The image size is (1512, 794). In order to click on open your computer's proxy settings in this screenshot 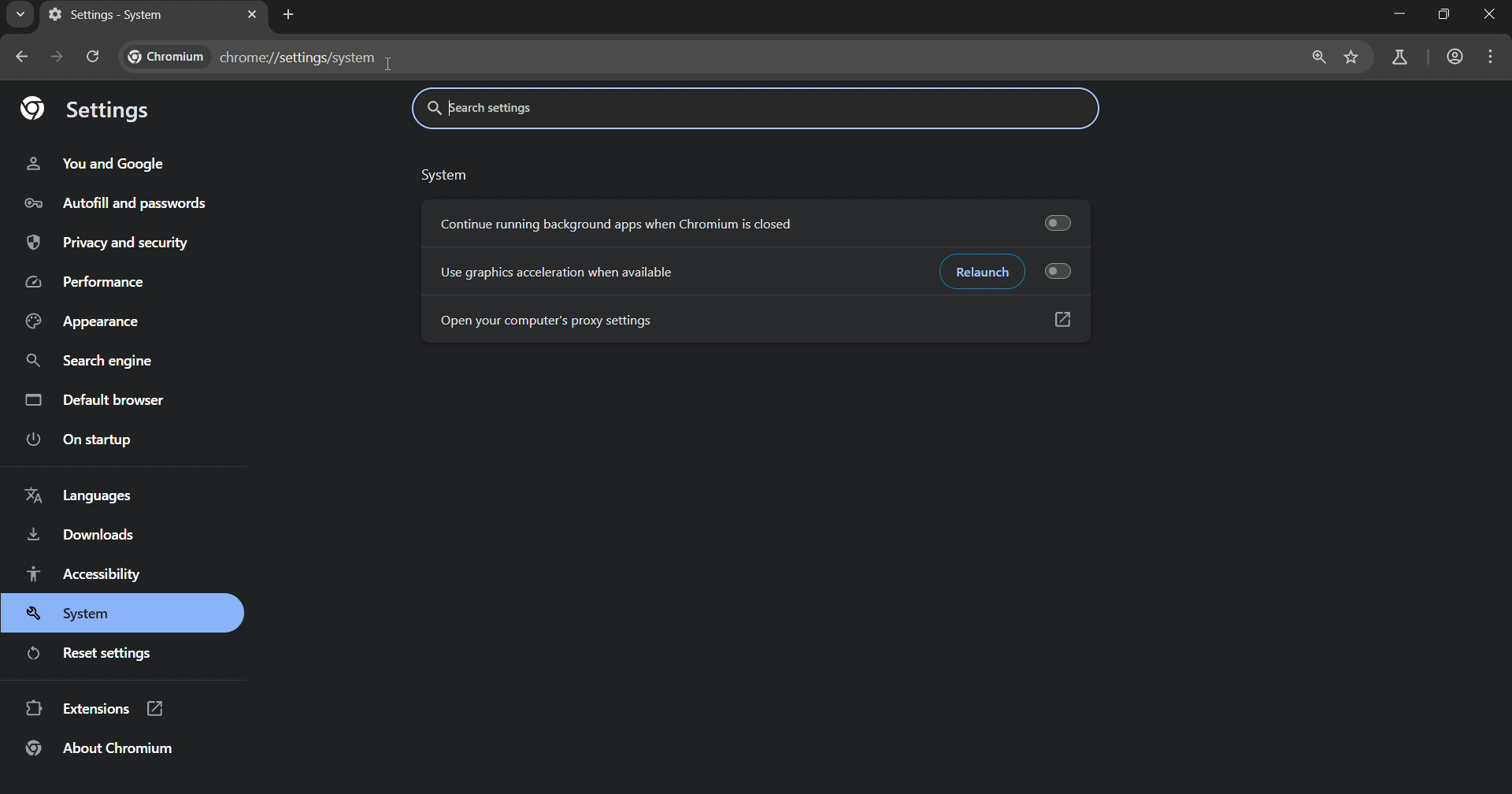, I will do `click(557, 314)`.